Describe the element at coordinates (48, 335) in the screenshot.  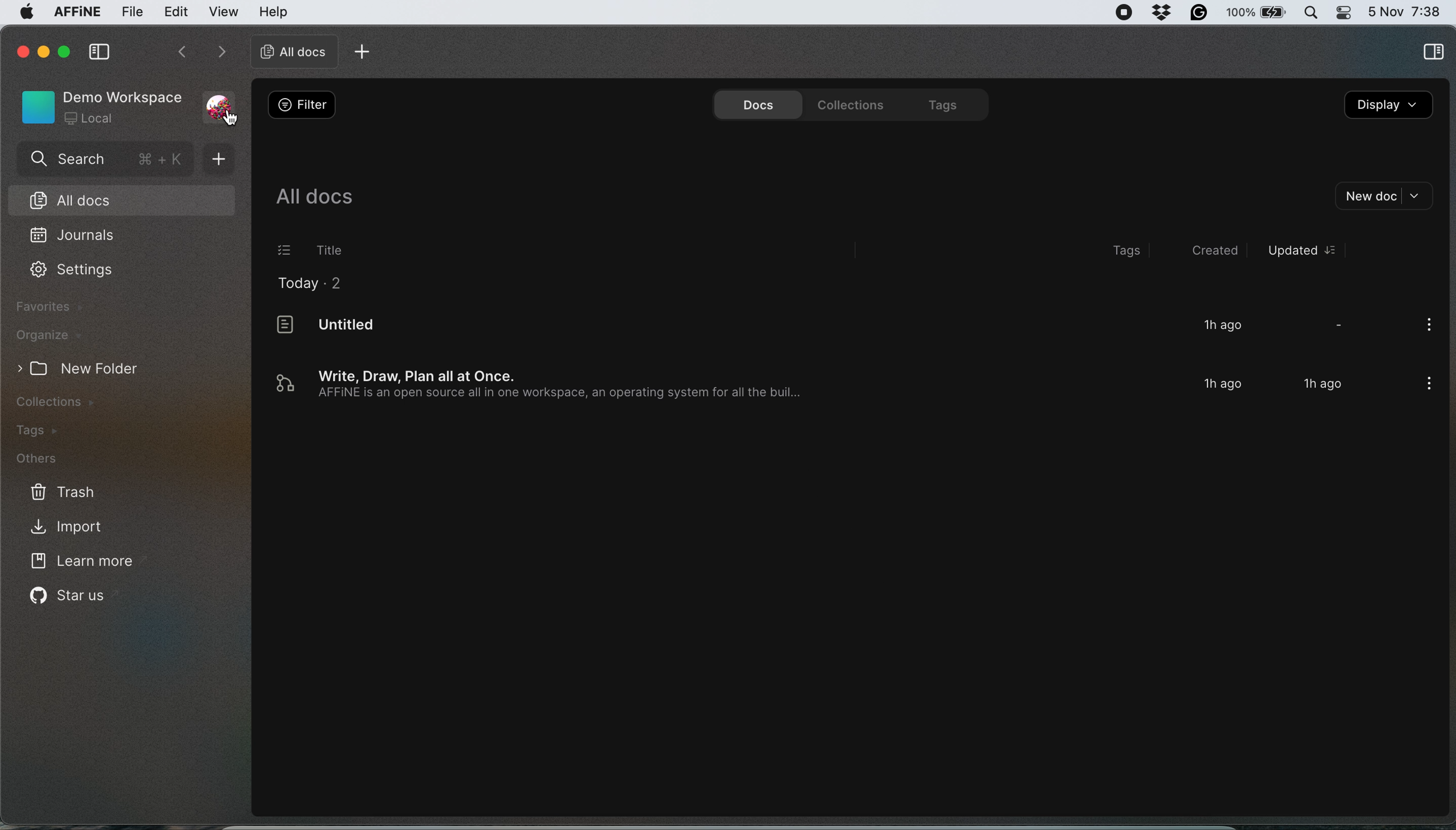
I see `organize` at that location.